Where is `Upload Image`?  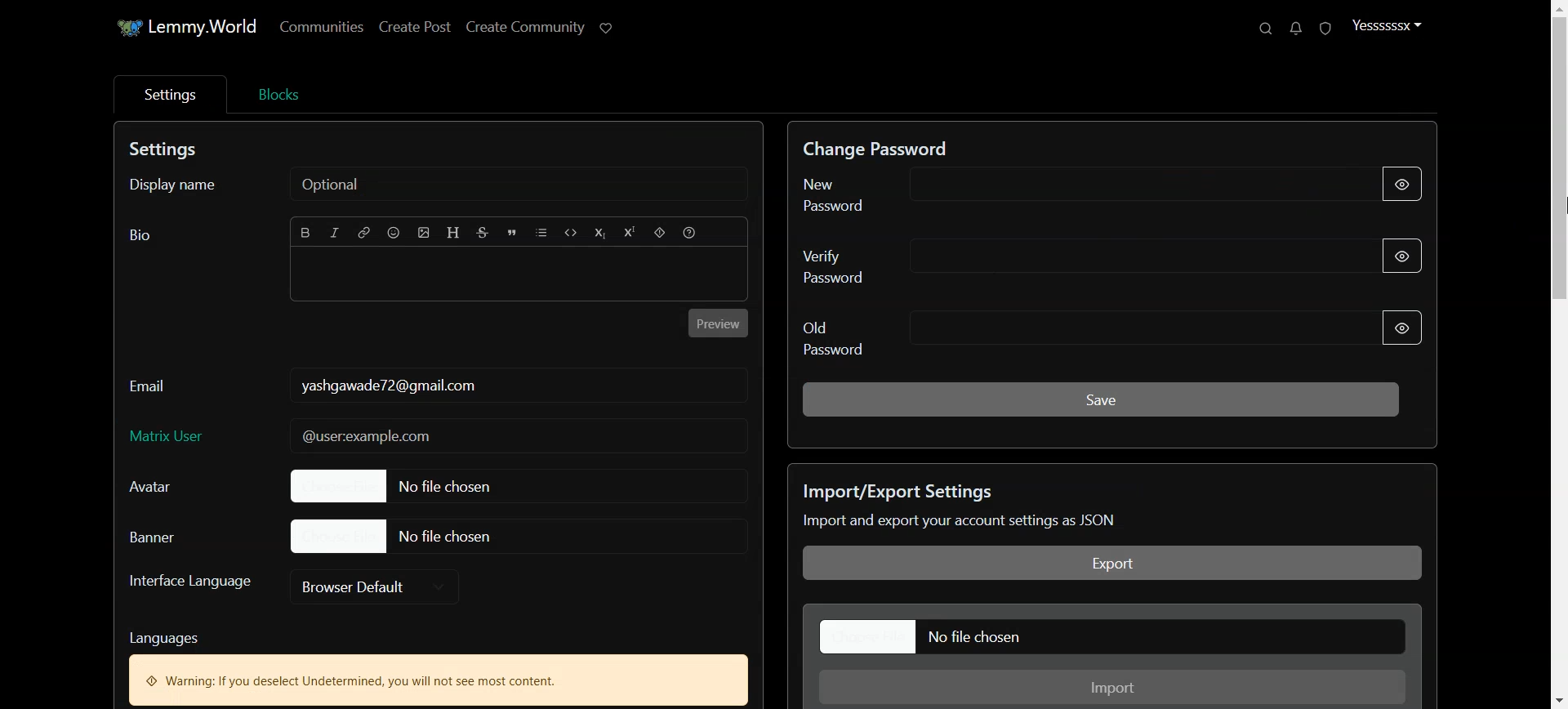 Upload Image is located at coordinates (424, 233).